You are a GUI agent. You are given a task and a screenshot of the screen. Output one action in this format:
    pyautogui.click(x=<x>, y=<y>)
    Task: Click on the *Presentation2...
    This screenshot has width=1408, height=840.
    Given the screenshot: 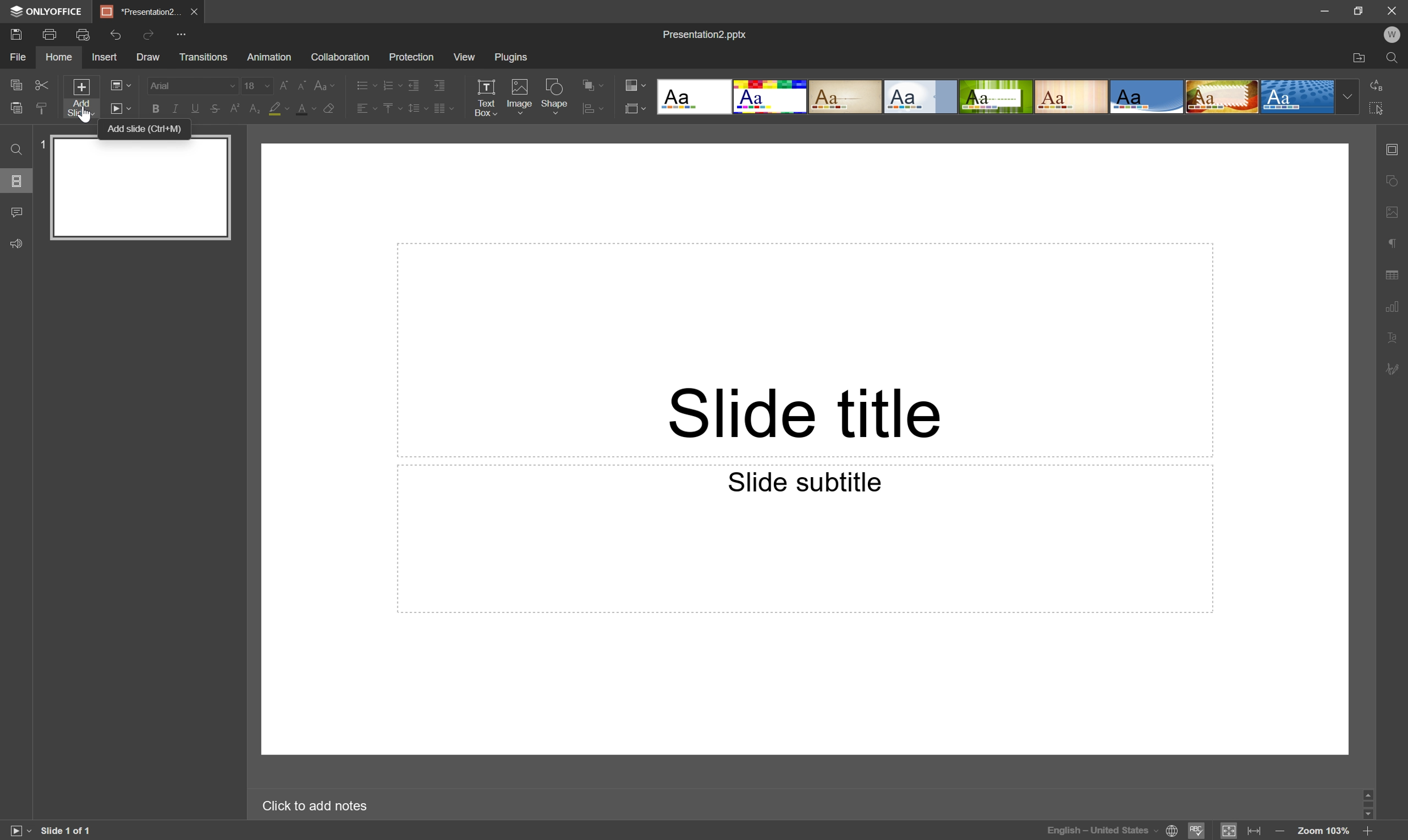 What is the action you would take?
    pyautogui.click(x=139, y=11)
    